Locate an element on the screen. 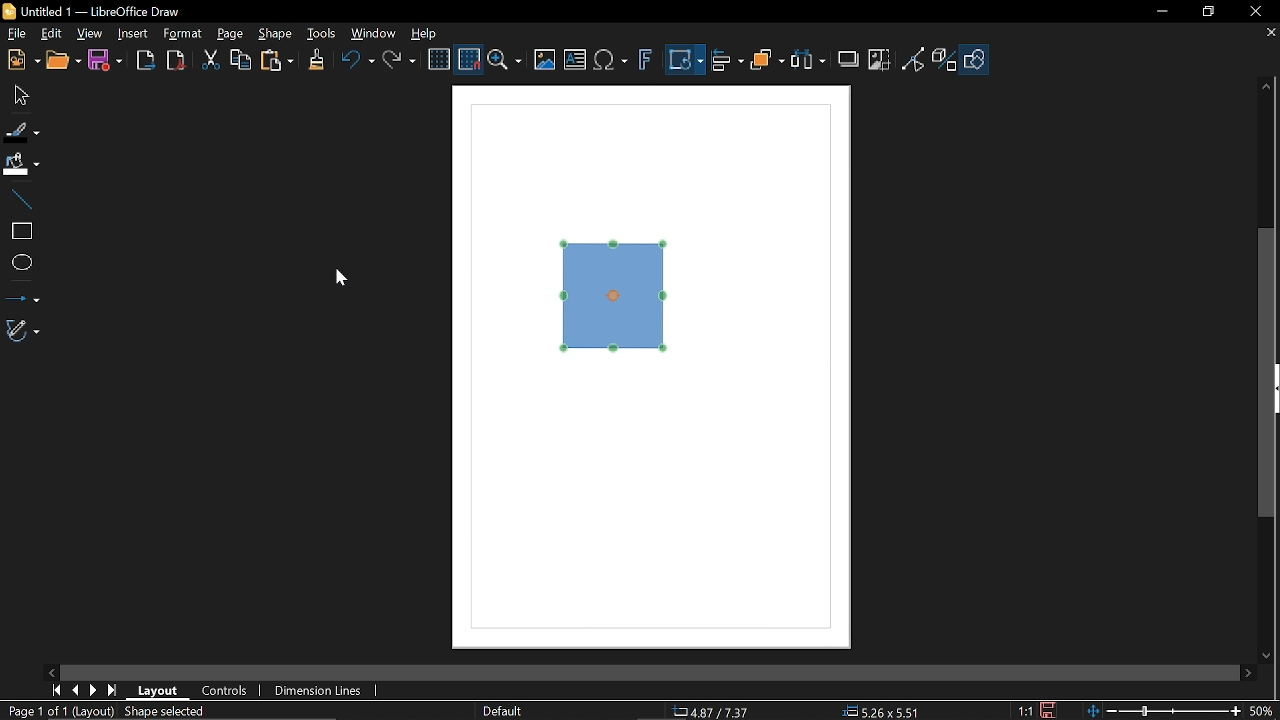 This screenshot has width=1280, height=720. Clone is located at coordinates (314, 61).